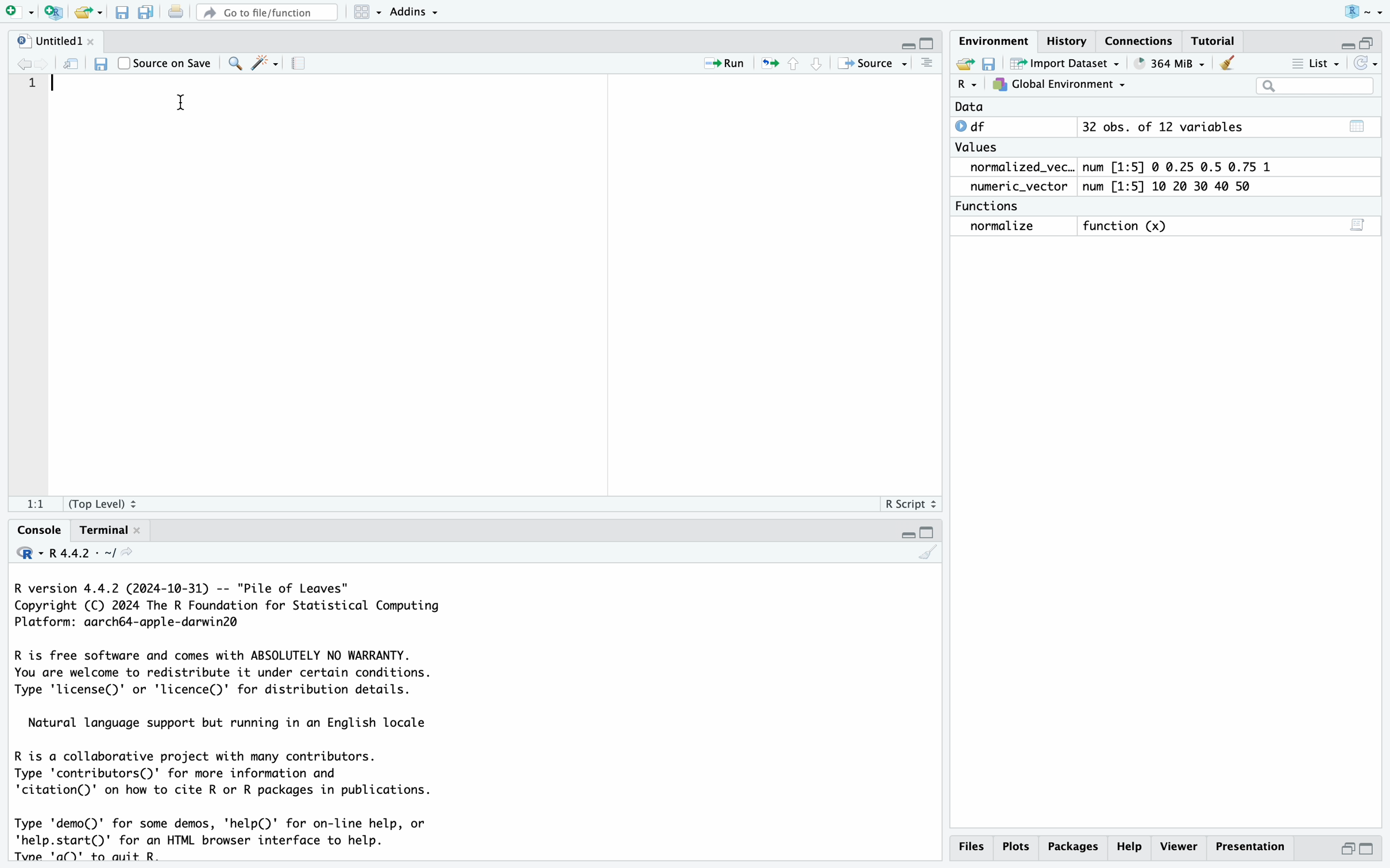  Describe the element at coordinates (1162, 128) in the screenshot. I see `32 obs. of 12 variables` at that location.